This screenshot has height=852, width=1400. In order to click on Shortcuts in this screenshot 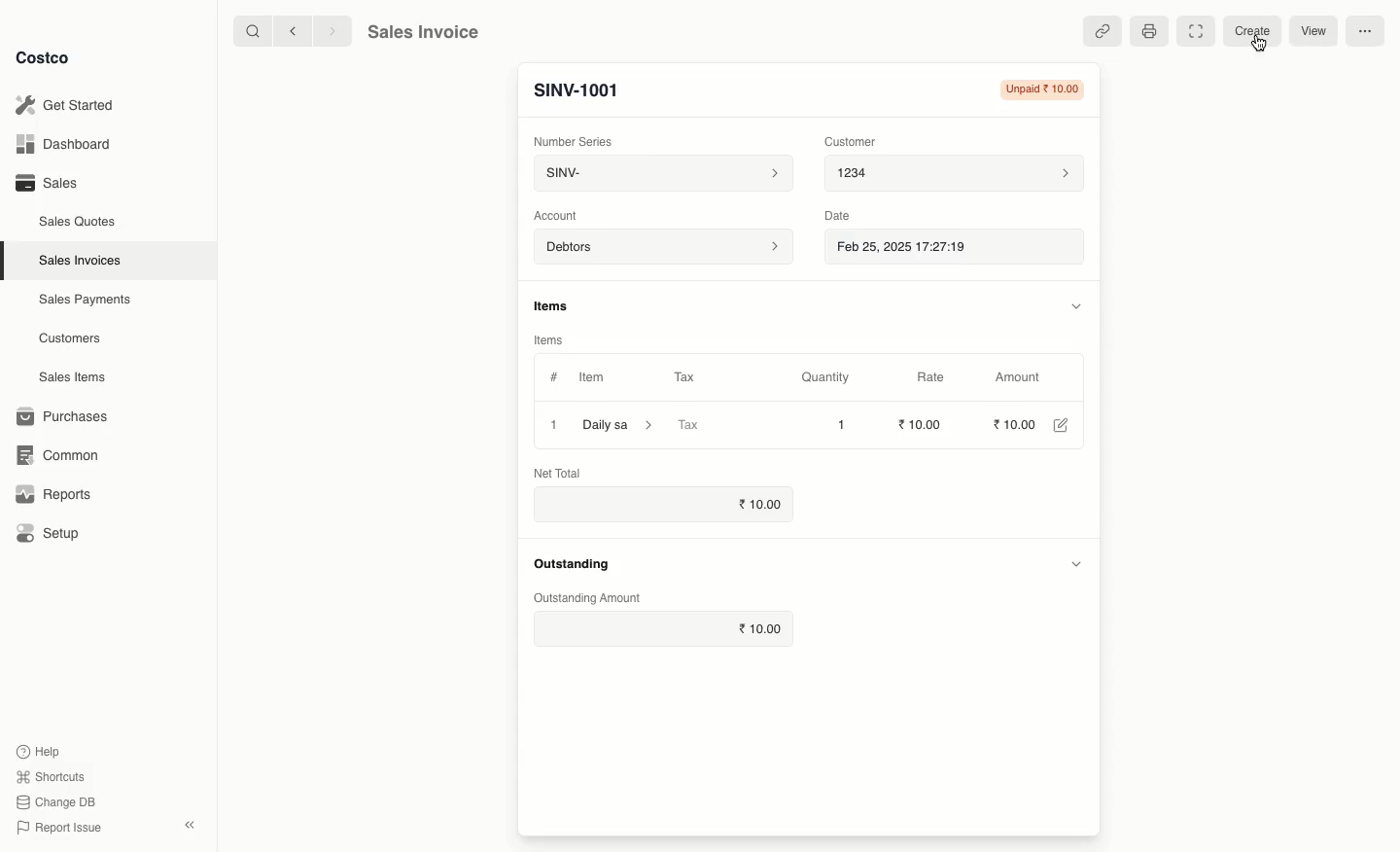, I will do `click(52, 775)`.